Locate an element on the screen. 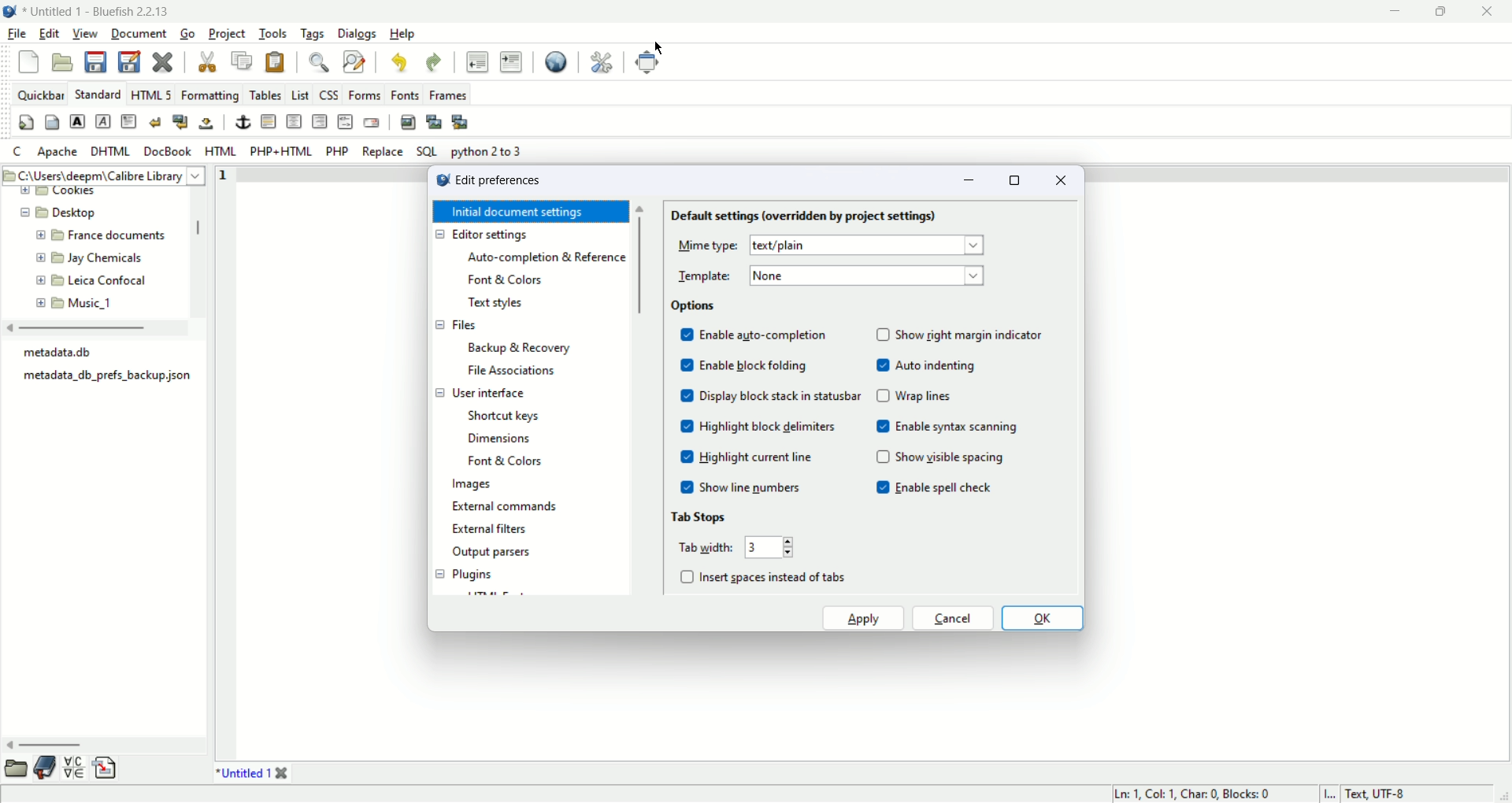  quick settings is located at coordinates (28, 122).